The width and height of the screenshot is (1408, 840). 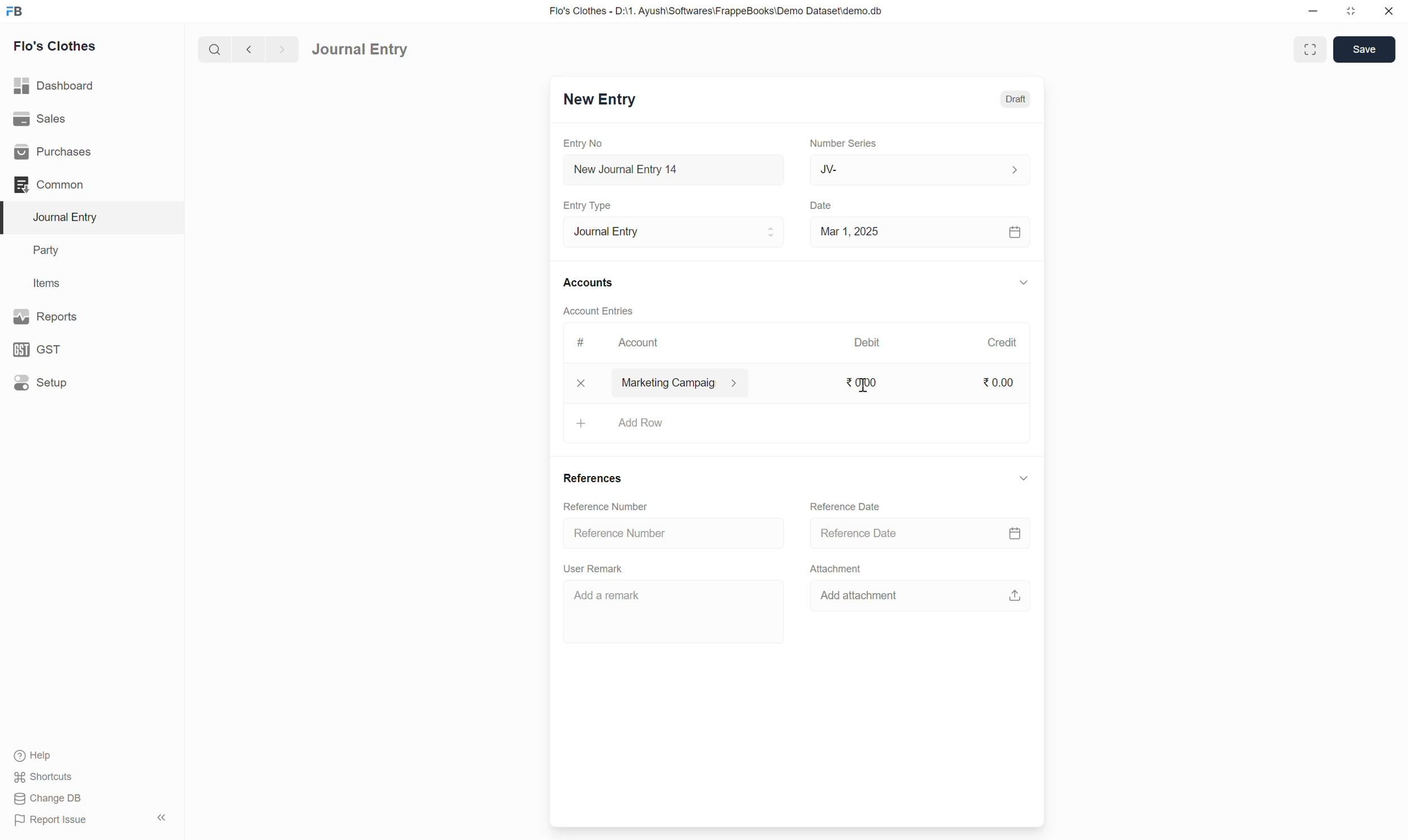 What do you see at coordinates (646, 170) in the screenshot?
I see `New Journal Entry 14` at bounding box center [646, 170].